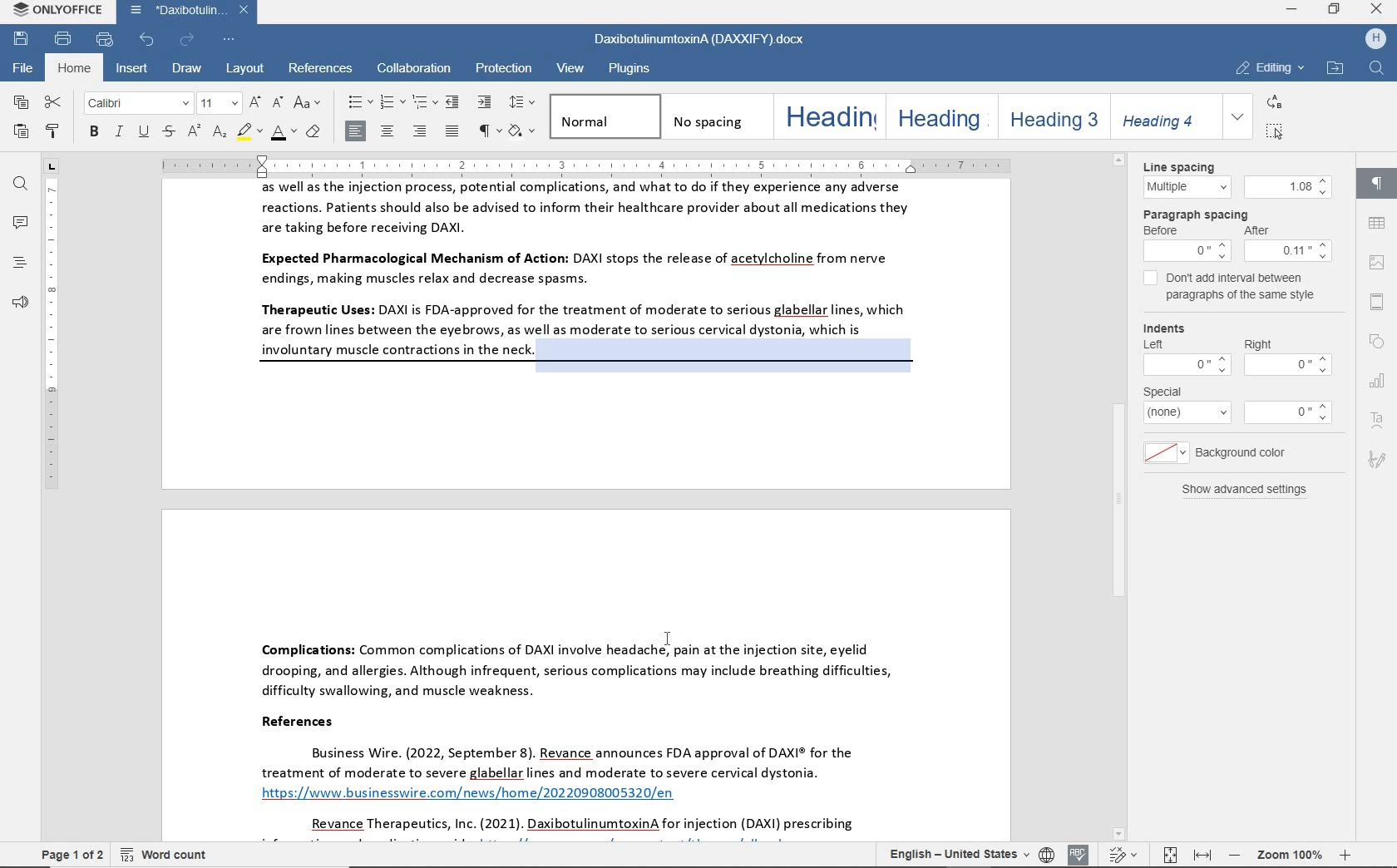  Describe the element at coordinates (313, 134) in the screenshot. I see `clear style` at that location.